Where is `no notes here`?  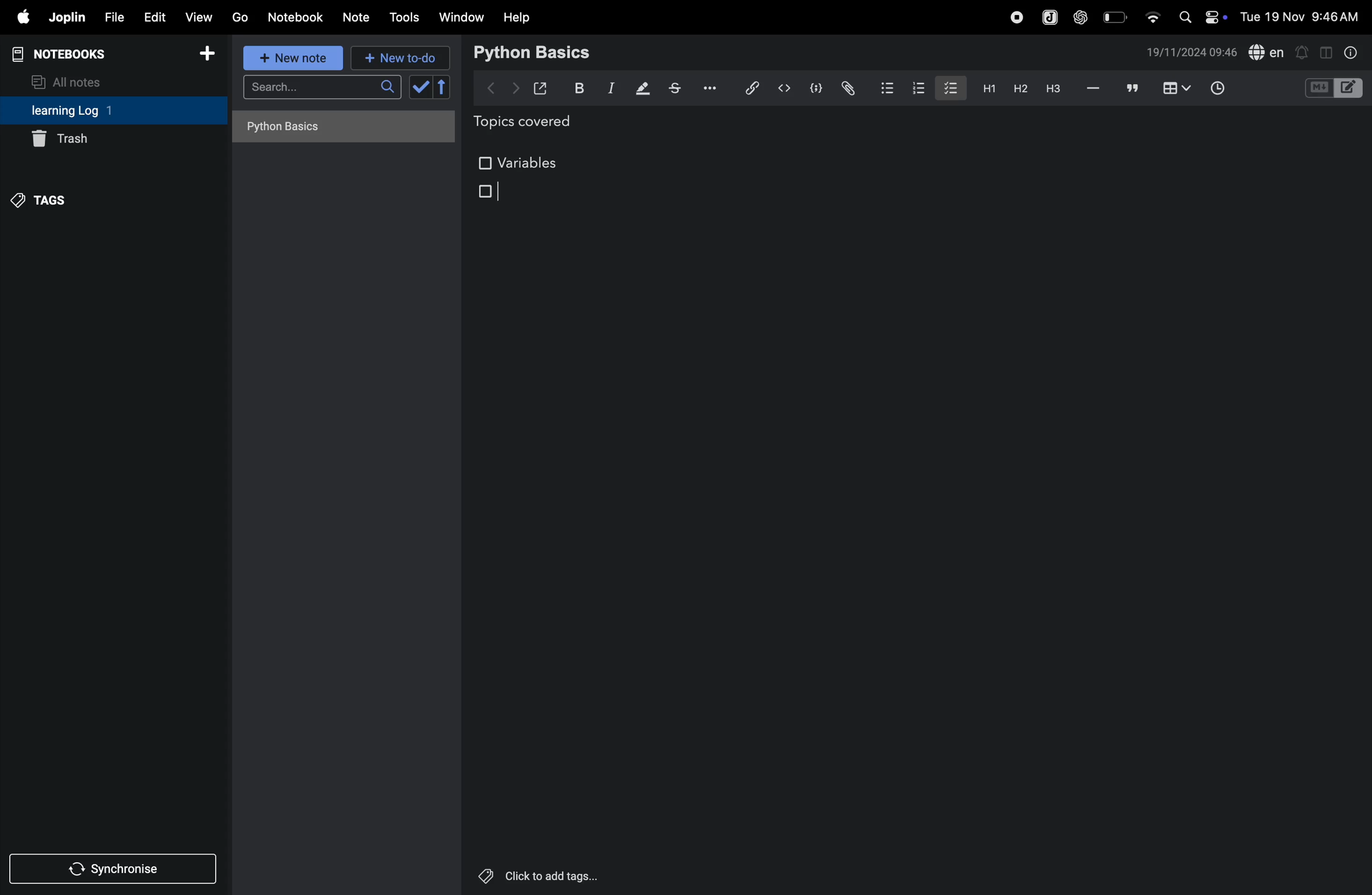 no notes here is located at coordinates (340, 130).